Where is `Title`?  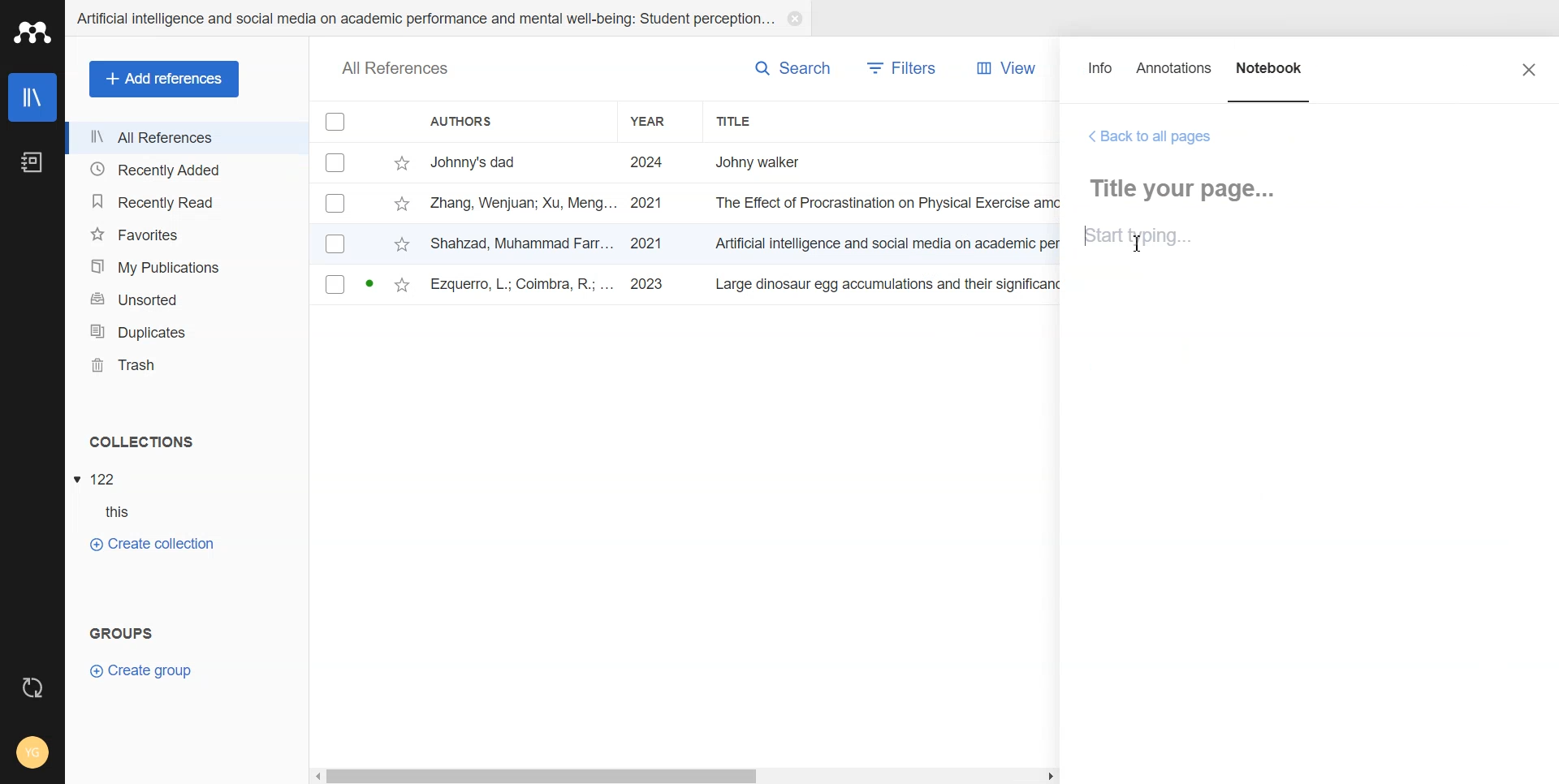 Title is located at coordinates (767, 121).